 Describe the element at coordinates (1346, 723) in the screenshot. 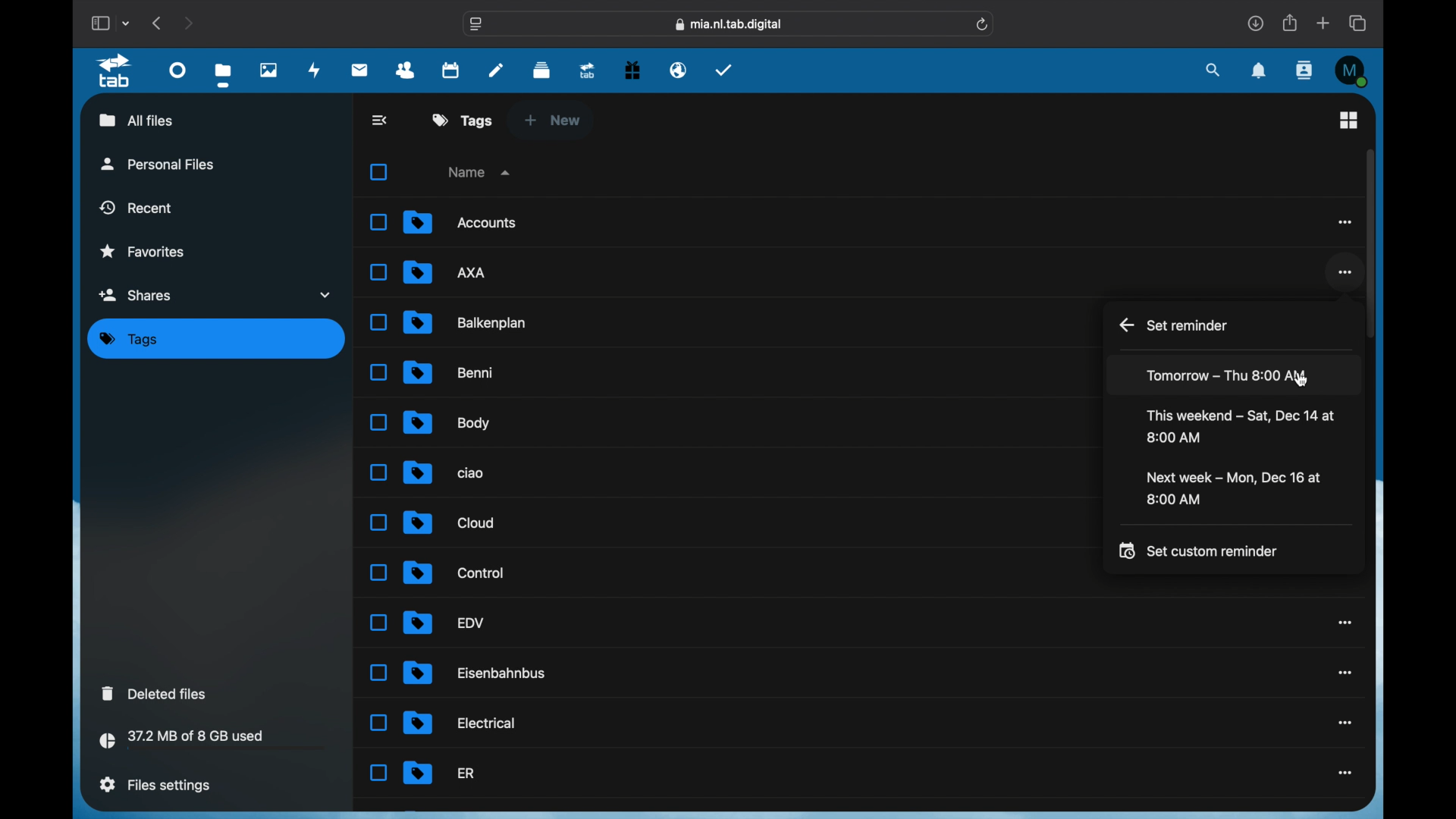

I see `more options` at that location.